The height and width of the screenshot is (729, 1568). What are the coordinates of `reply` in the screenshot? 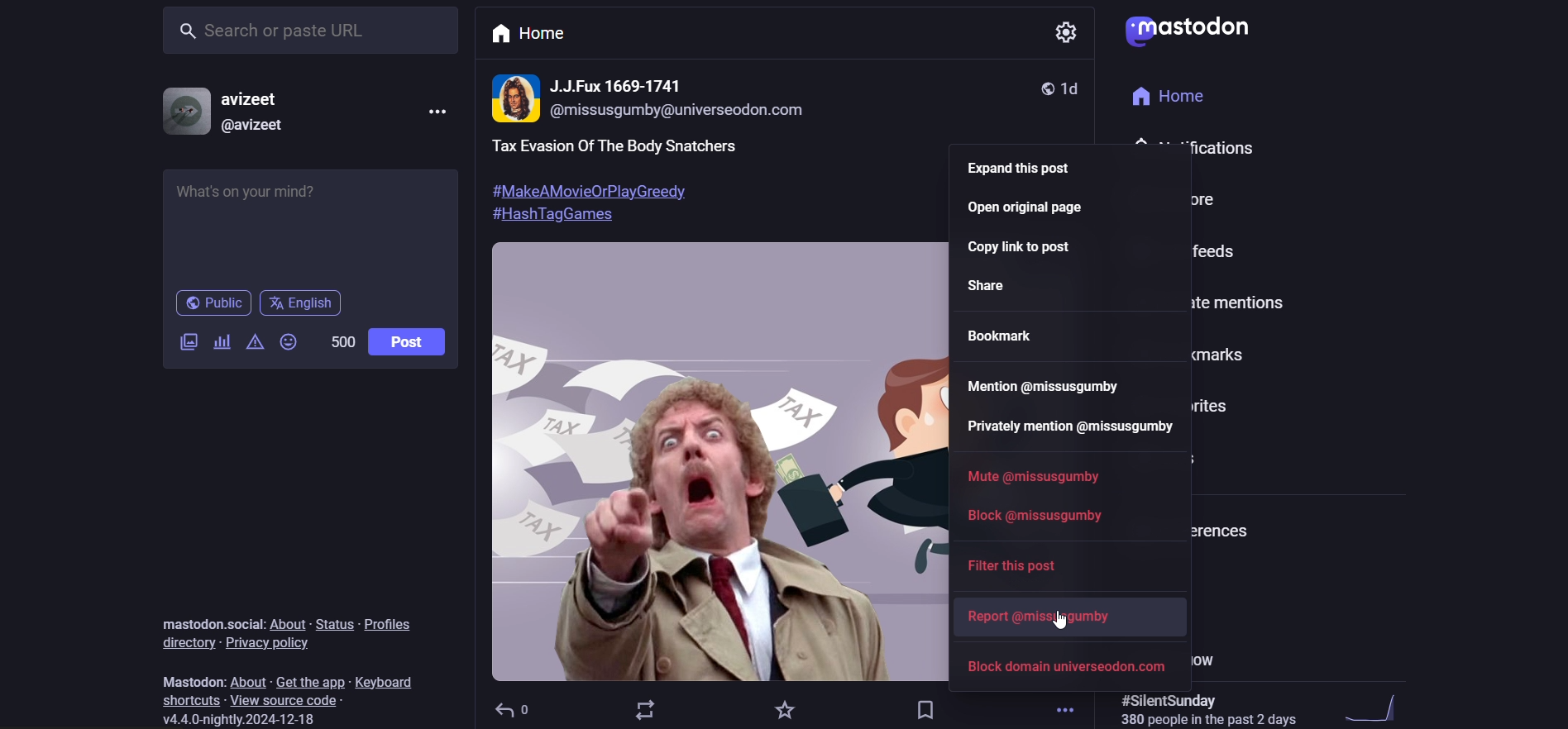 It's located at (513, 706).